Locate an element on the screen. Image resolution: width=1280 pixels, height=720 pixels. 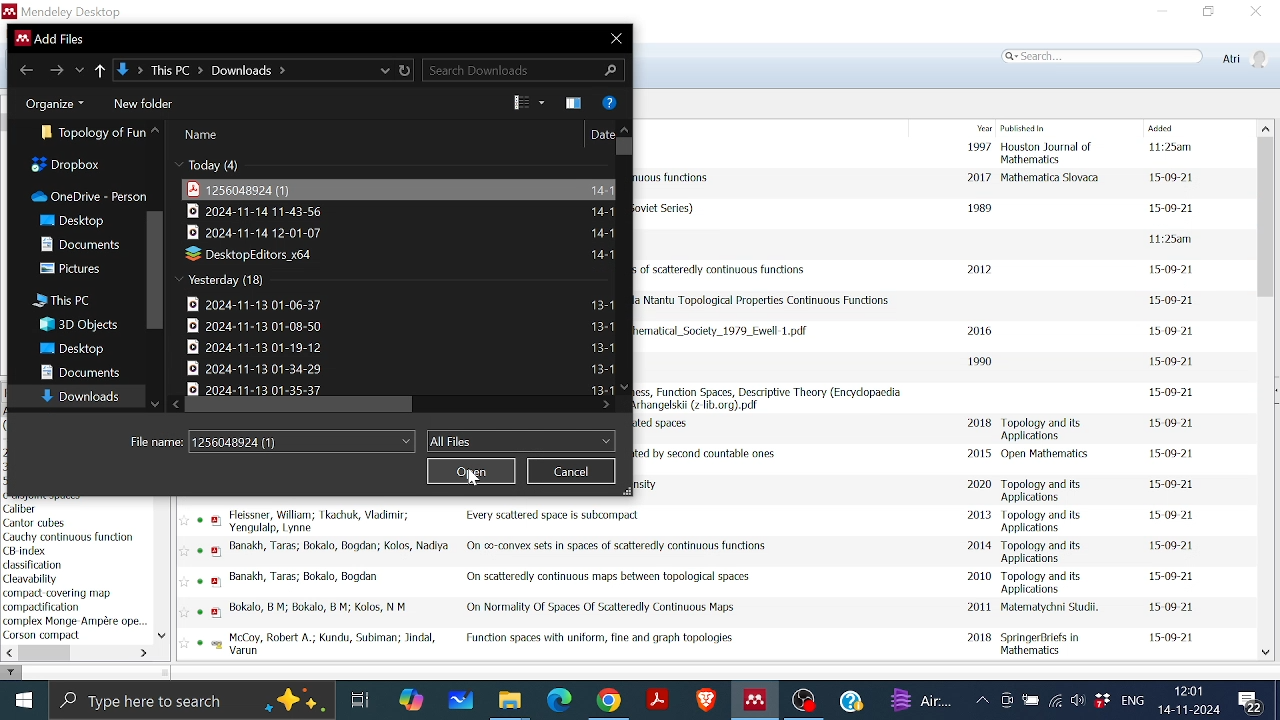
Keyword is located at coordinates (40, 607).